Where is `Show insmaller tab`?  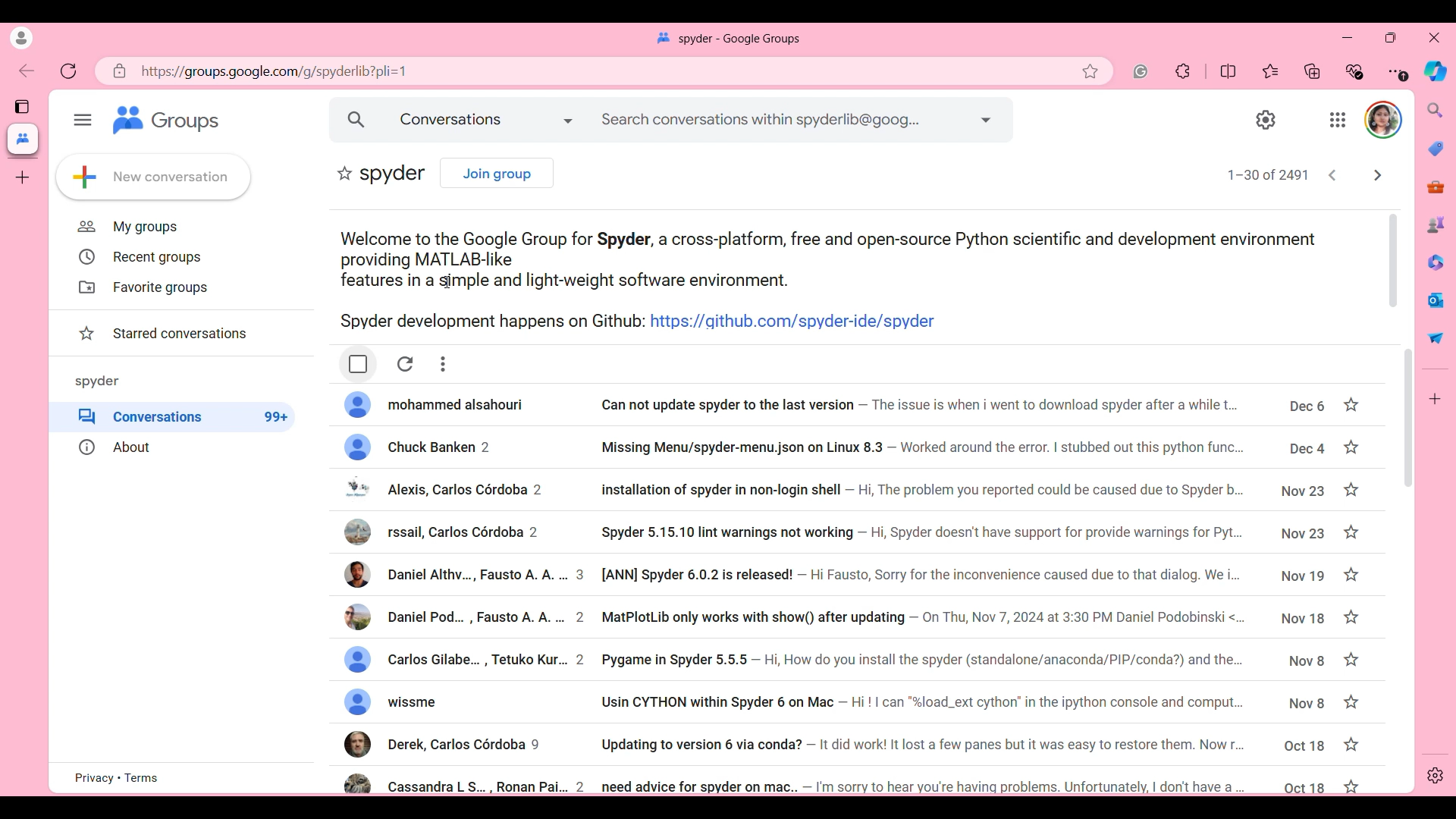 Show insmaller tab is located at coordinates (1391, 38).